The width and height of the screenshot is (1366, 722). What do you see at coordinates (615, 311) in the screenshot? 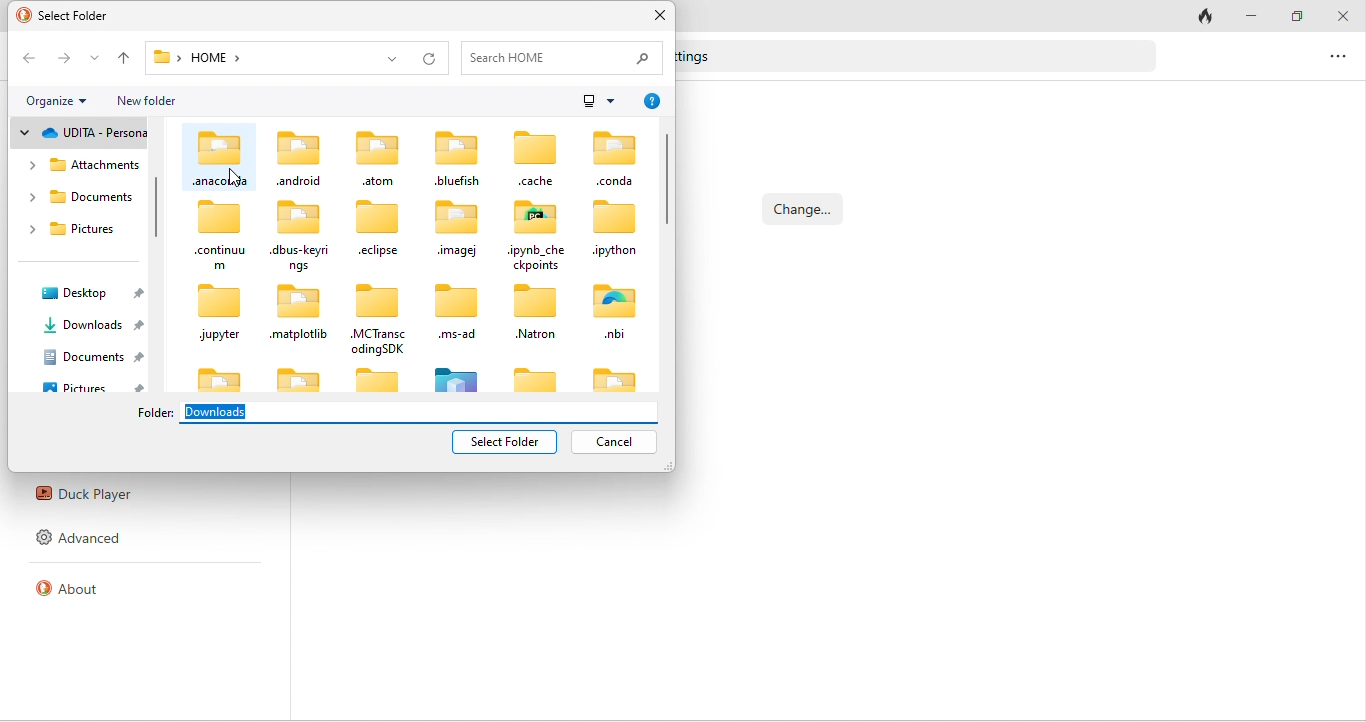
I see `.nbi` at bounding box center [615, 311].